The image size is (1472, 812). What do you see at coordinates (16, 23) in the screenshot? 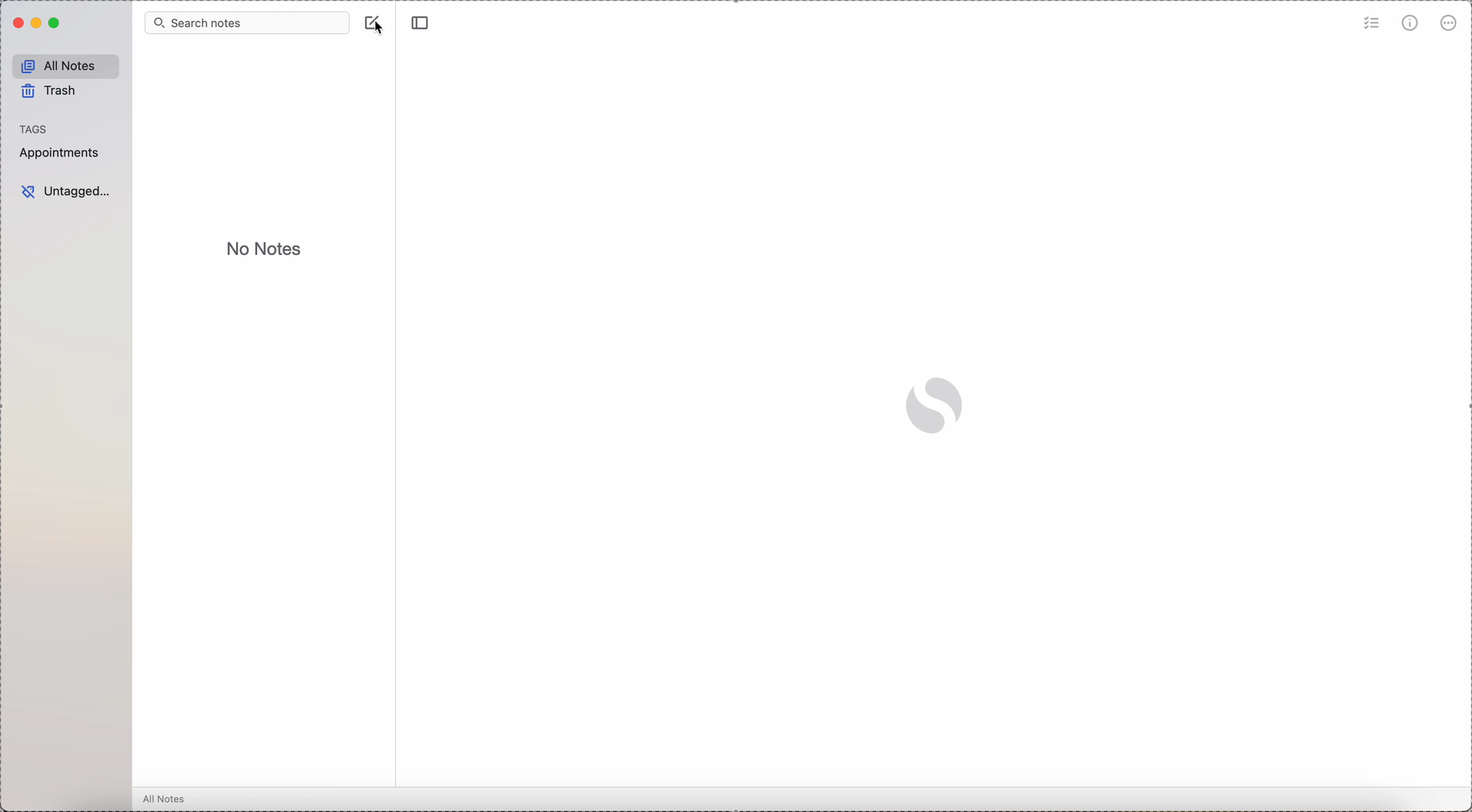
I see `close Simplenote` at bounding box center [16, 23].